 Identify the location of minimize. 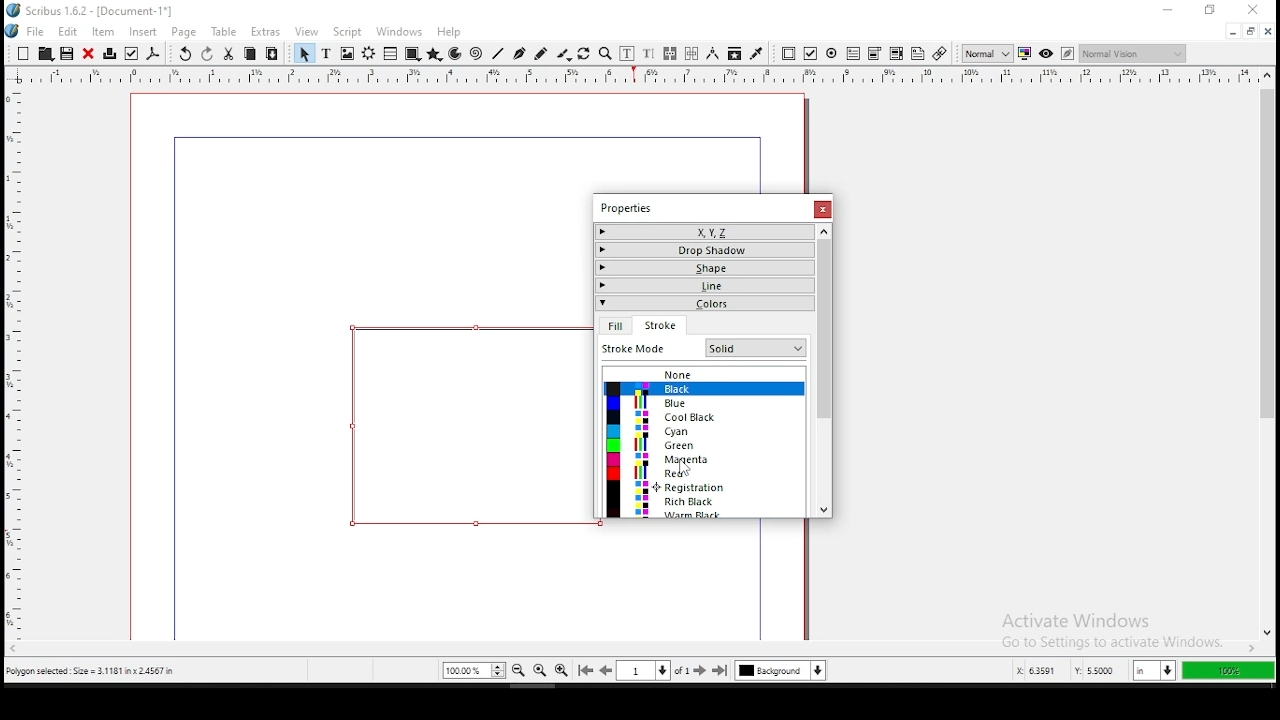
(1232, 33).